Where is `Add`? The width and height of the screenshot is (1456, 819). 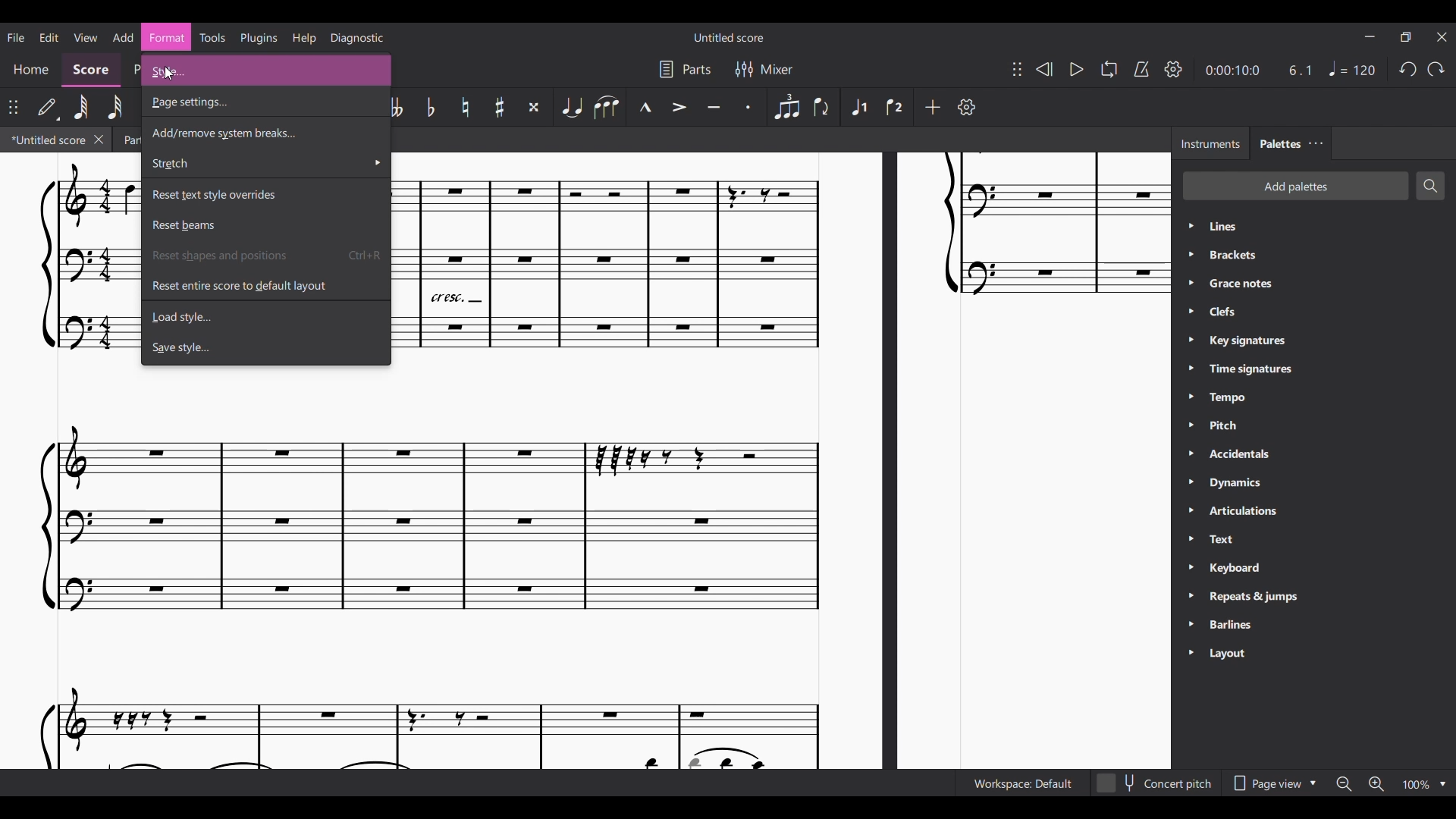
Add is located at coordinates (933, 108).